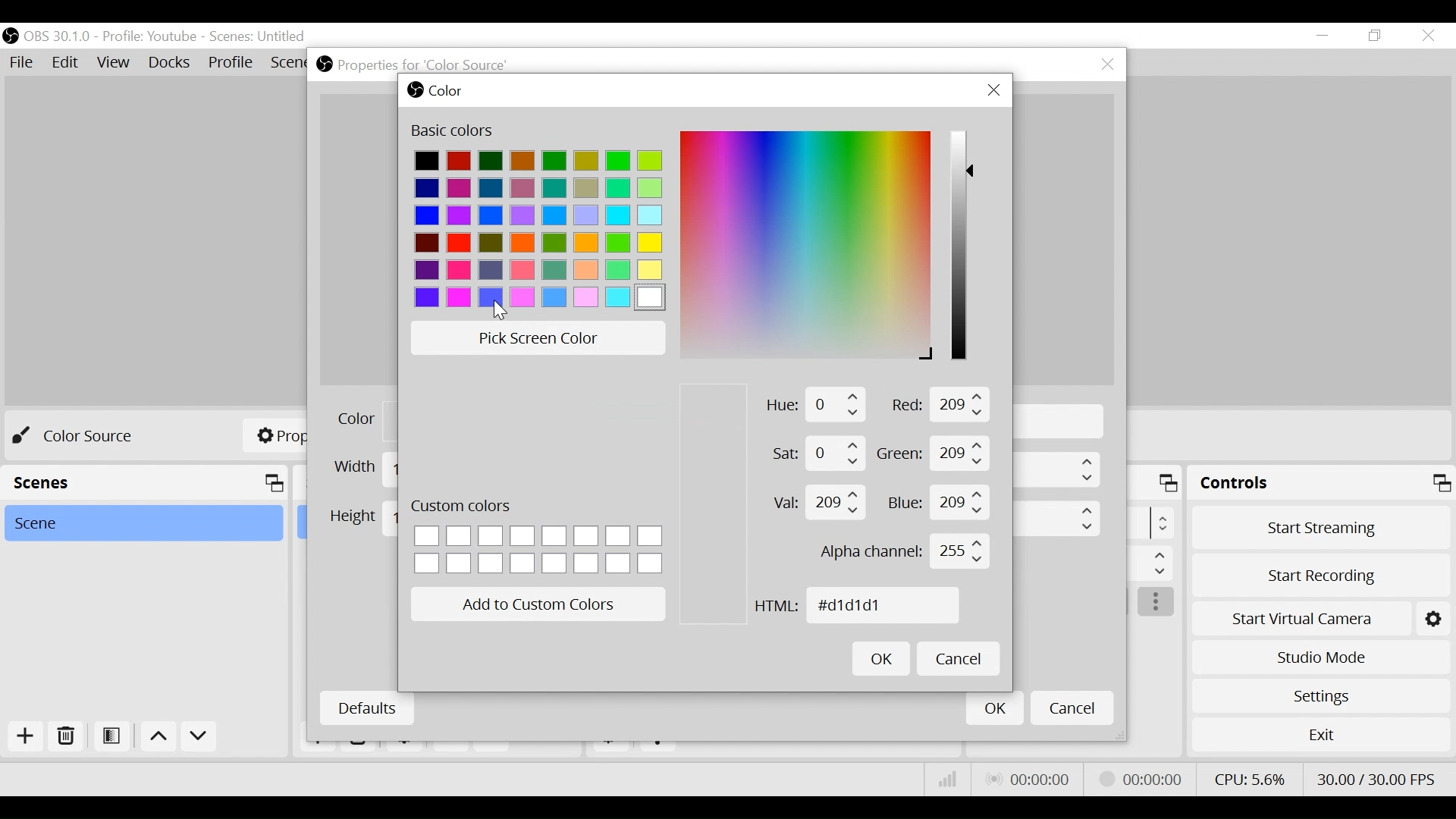 This screenshot has width=1456, height=819. I want to click on OBS Studio Desktop icon, so click(325, 64).